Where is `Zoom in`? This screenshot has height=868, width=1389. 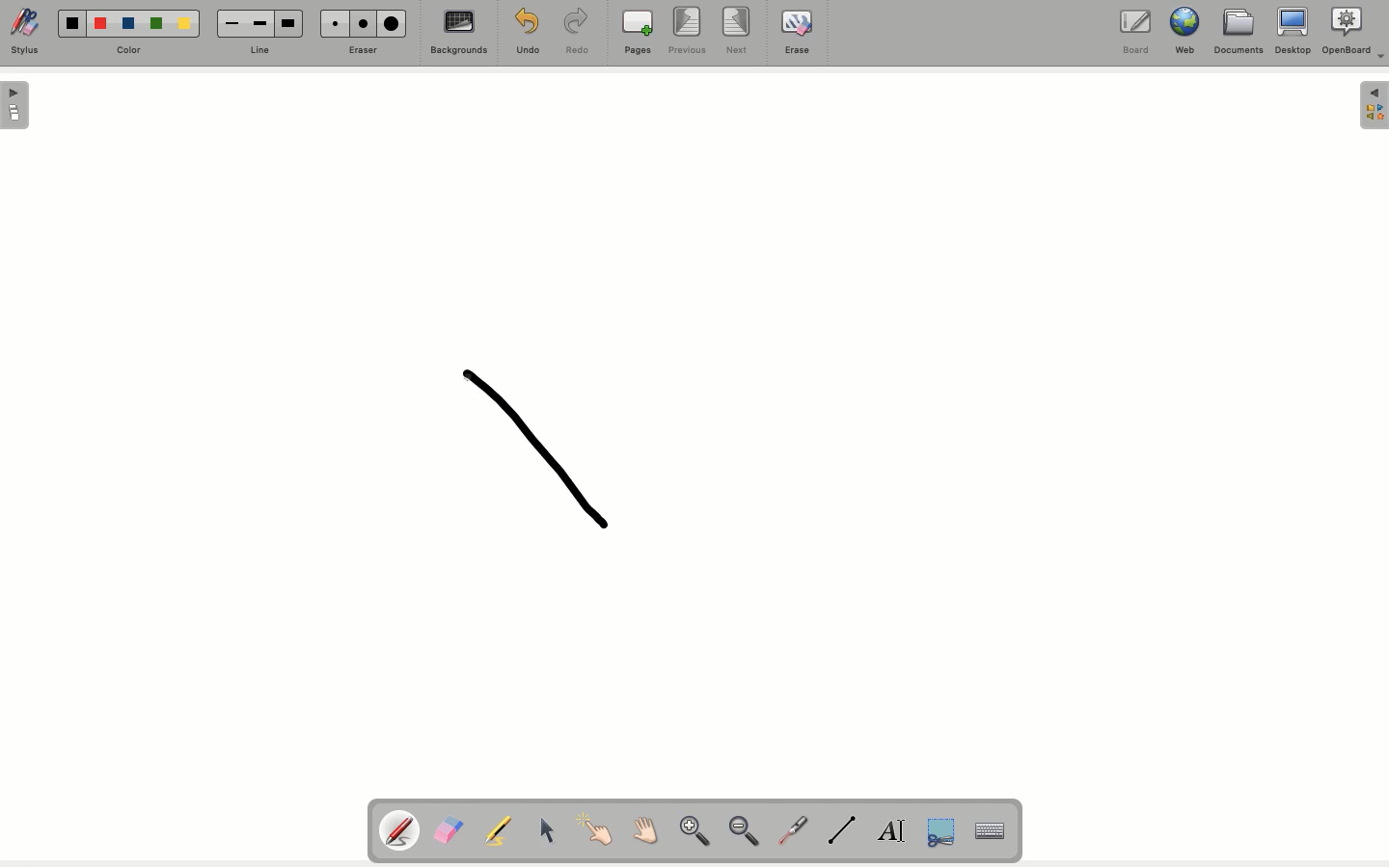
Zoom in is located at coordinates (694, 832).